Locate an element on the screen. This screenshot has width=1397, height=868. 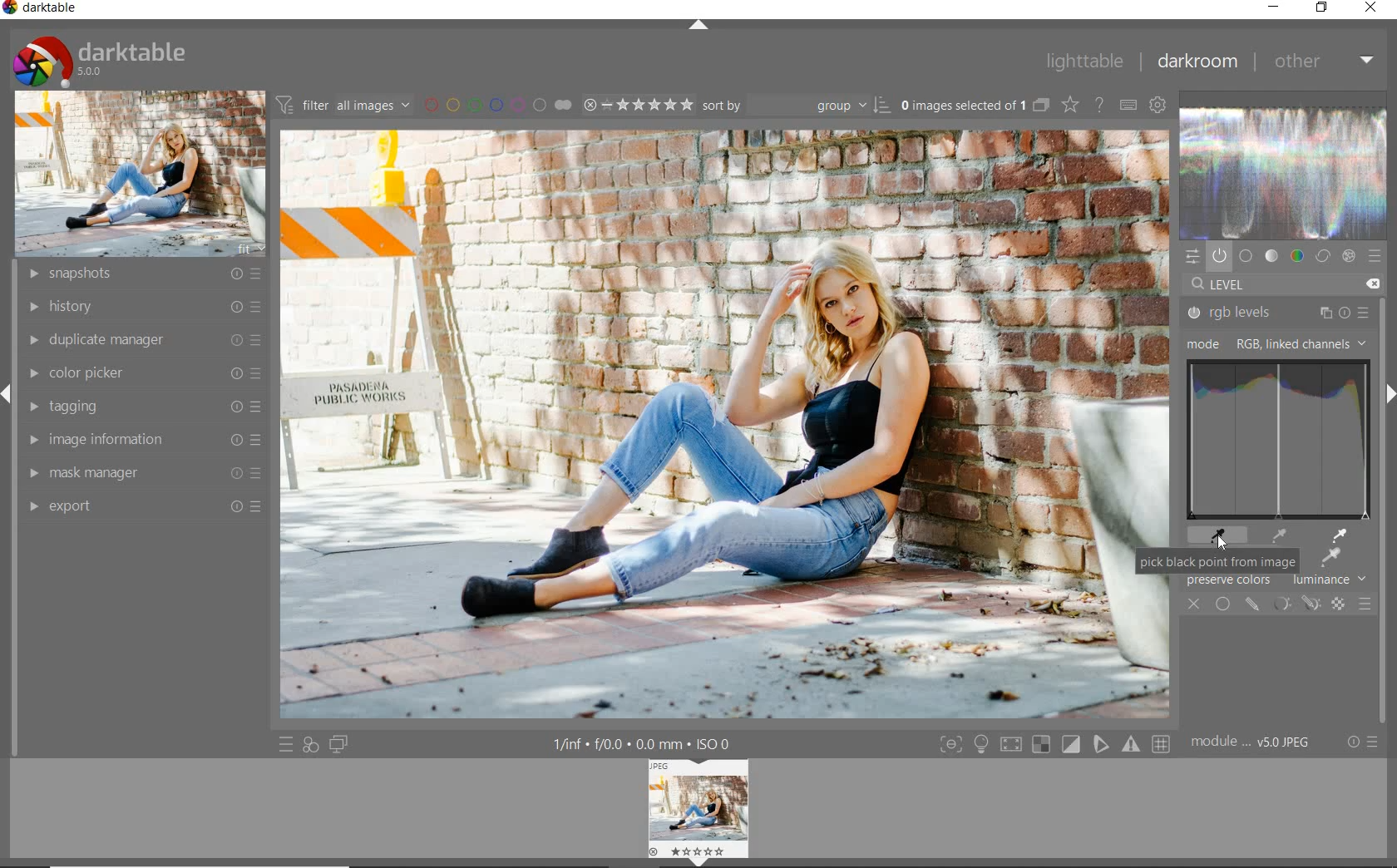
uniformly is located at coordinates (1223, 604).